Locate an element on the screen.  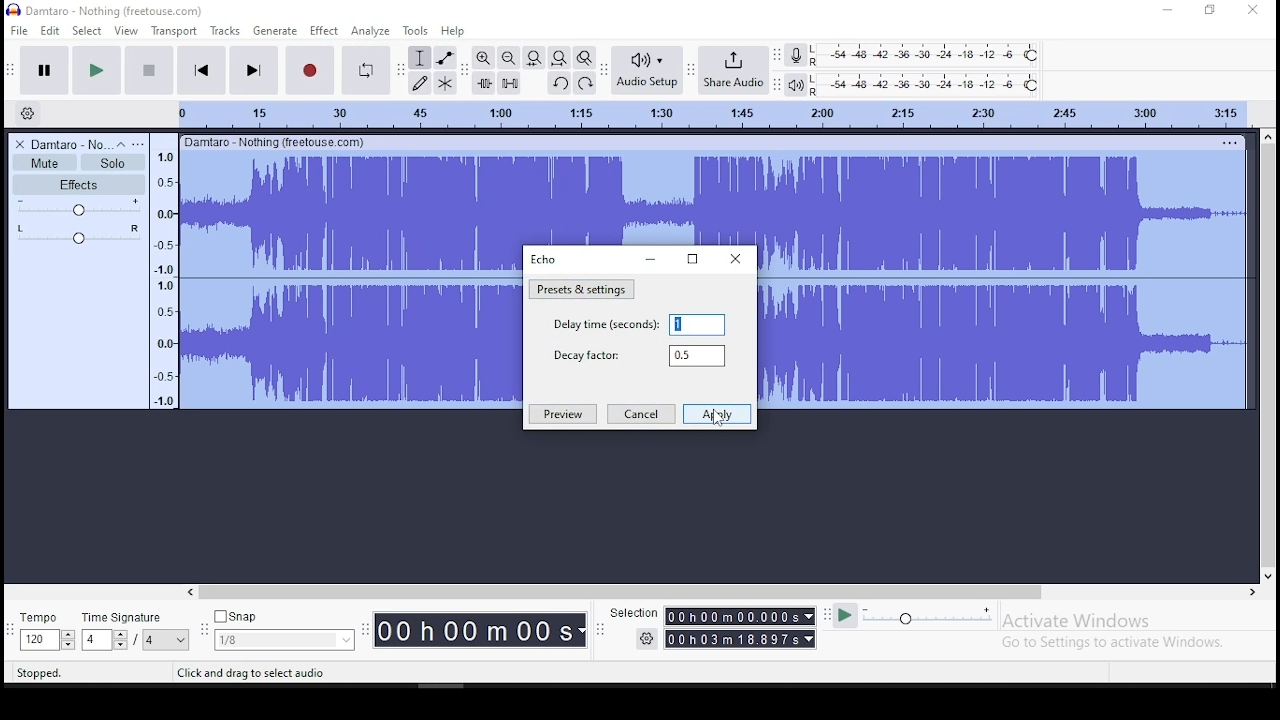
 is located at coordinates (161, 280).